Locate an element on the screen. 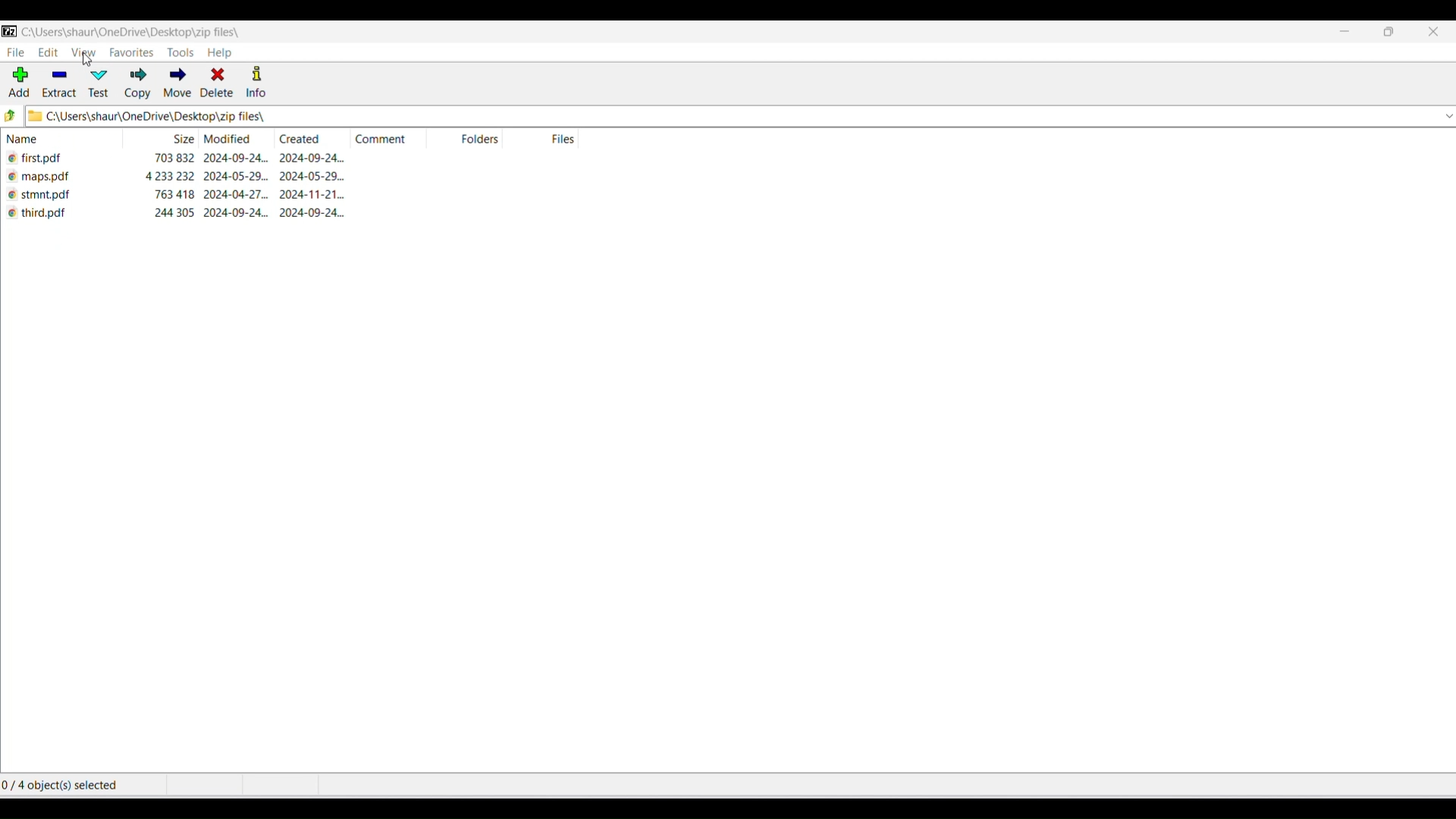  test is located at coordinates (97, 83).